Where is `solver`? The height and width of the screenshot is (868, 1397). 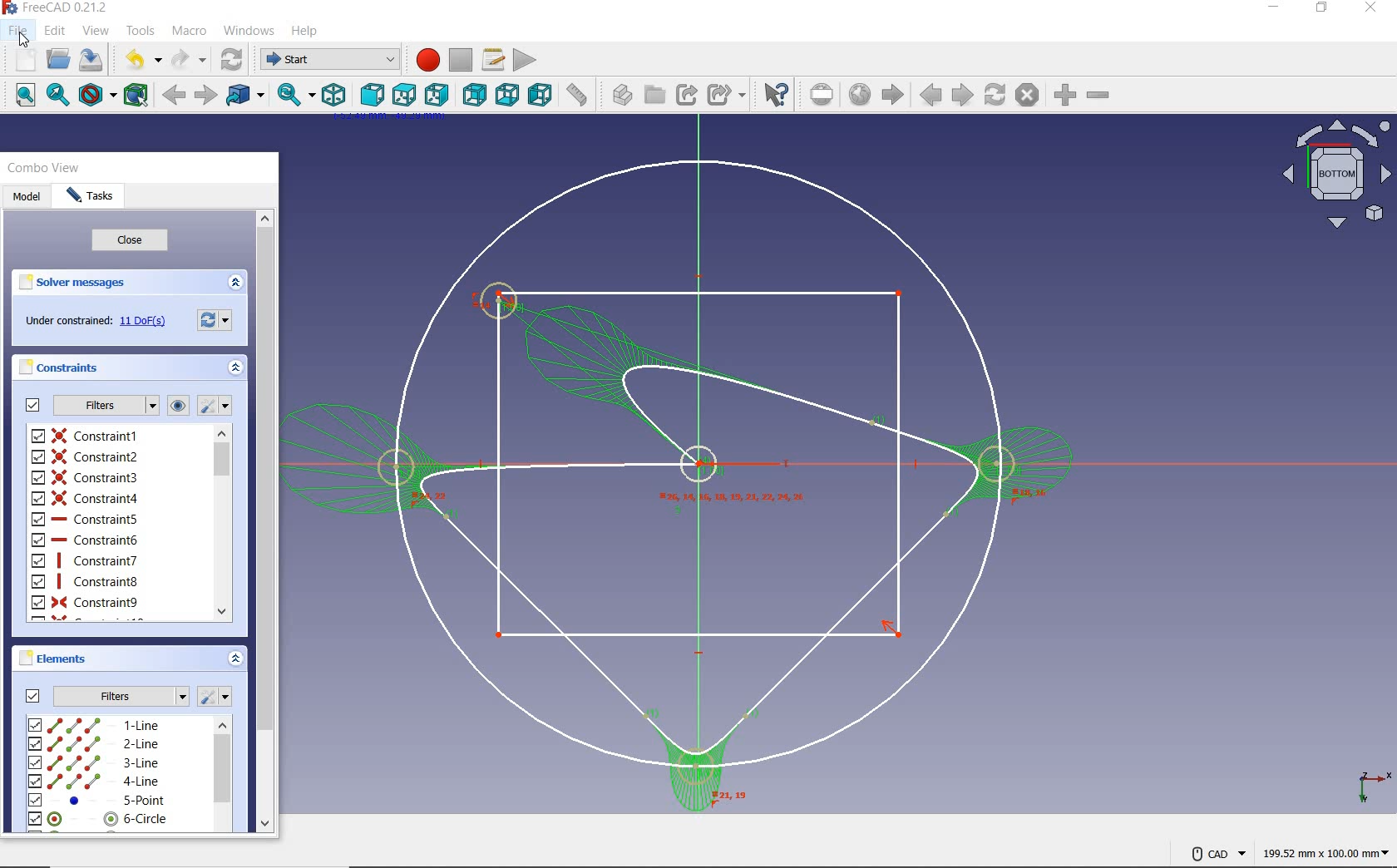
solver is located at coordinates (77, 280).